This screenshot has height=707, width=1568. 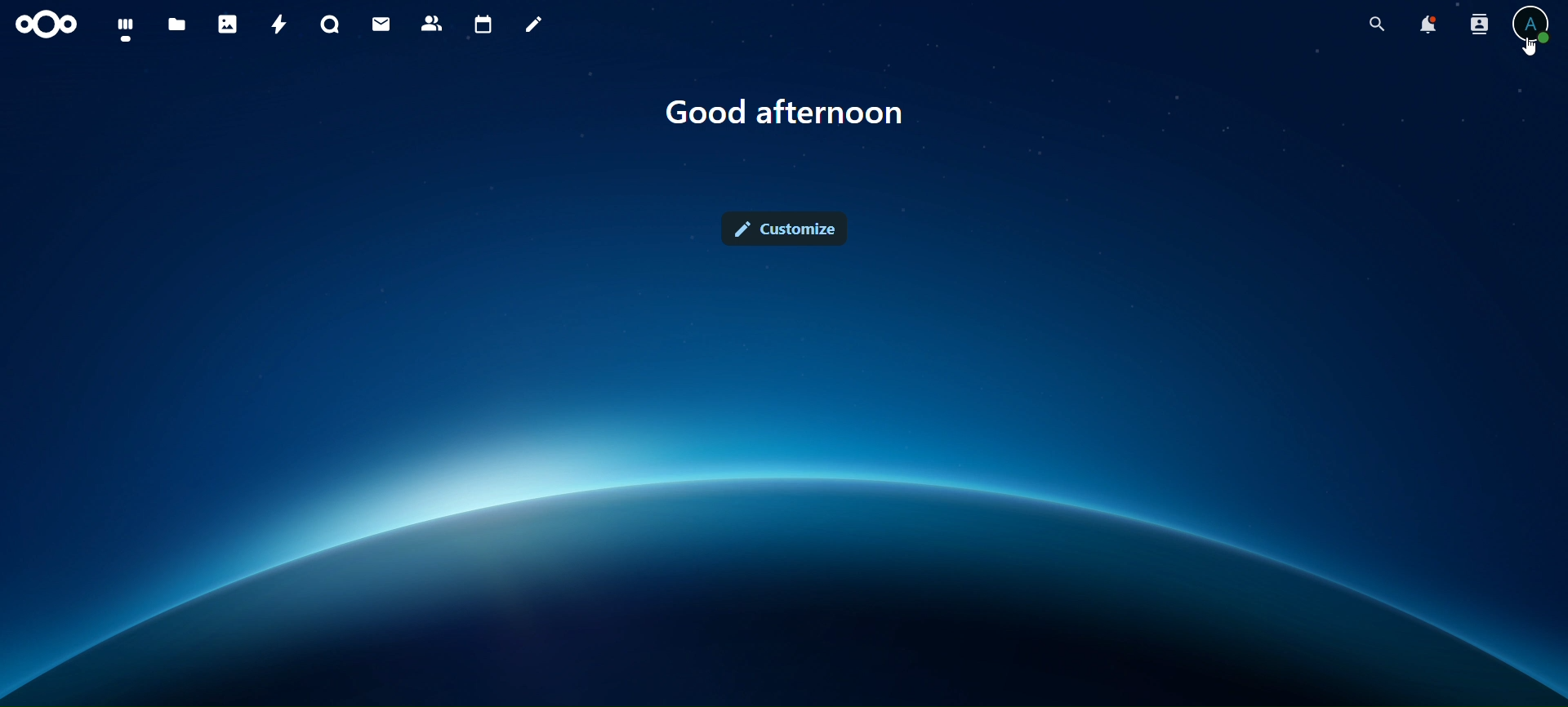 What do you see at coordinates (782, 115) in the screenshot?
I see `text ` at bounding box center [782, 115].